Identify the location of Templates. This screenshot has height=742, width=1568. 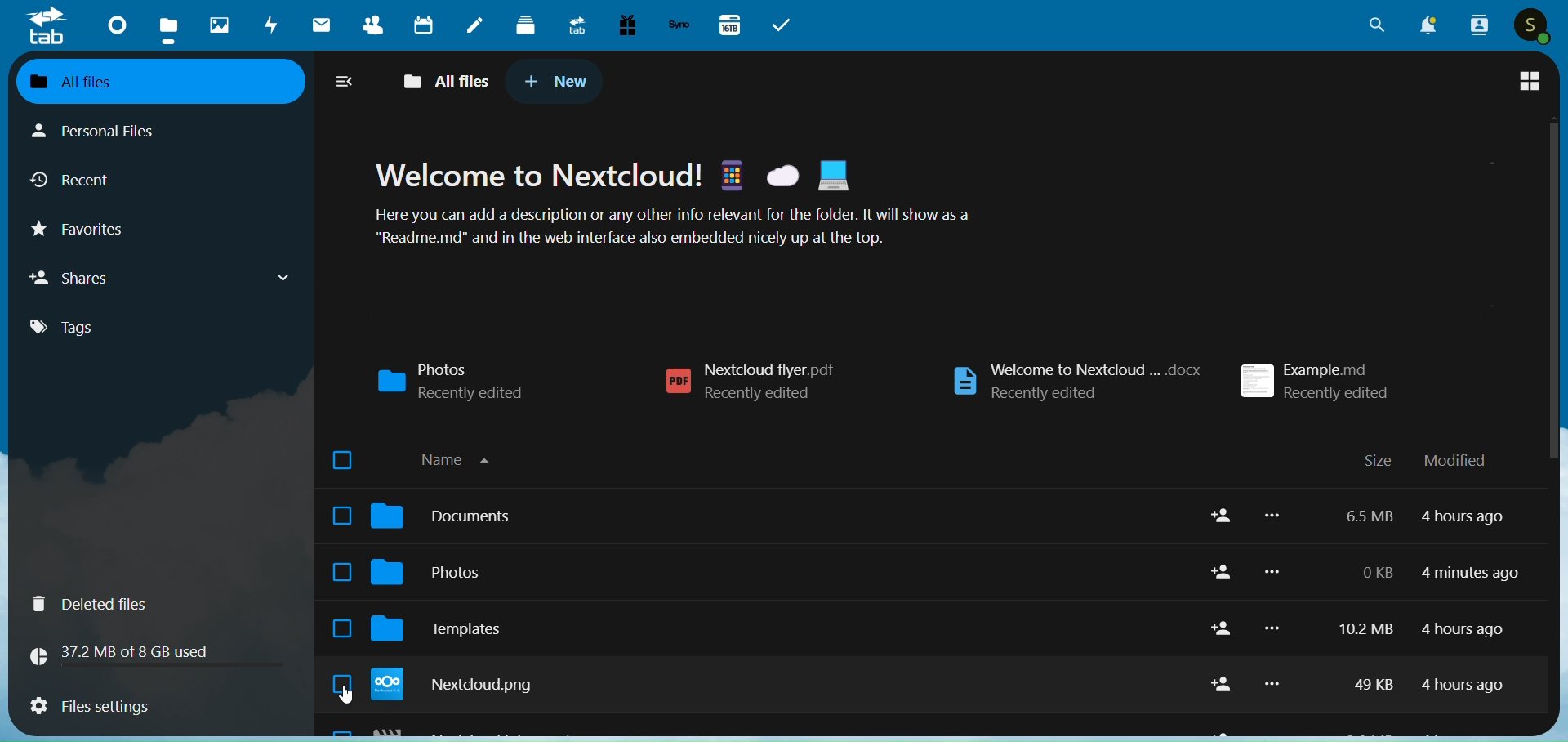
(780, 628).